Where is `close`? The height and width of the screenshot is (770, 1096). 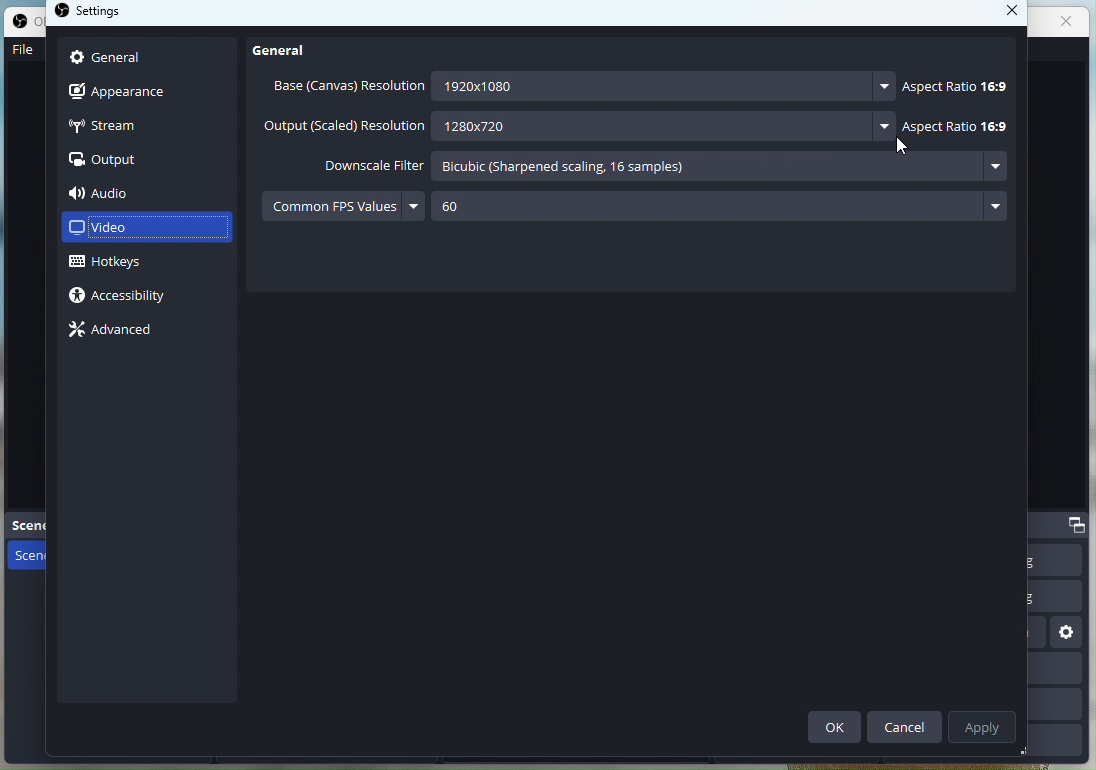 close is located at coordinates (1008, 13).